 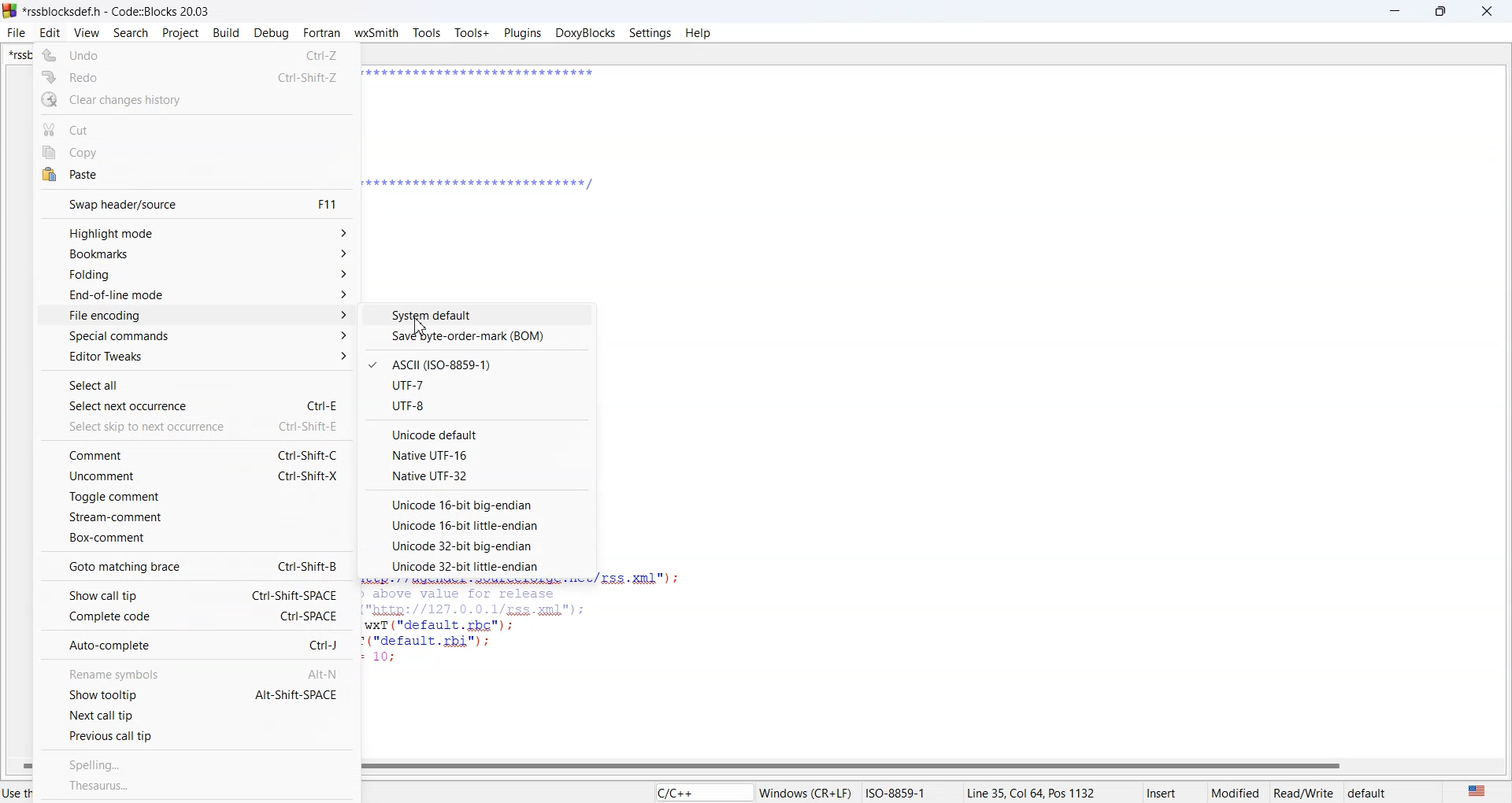 What do you see at coordinates (480, 314) in the screenshot?
I see `System default` at bounding box center [480, 314].